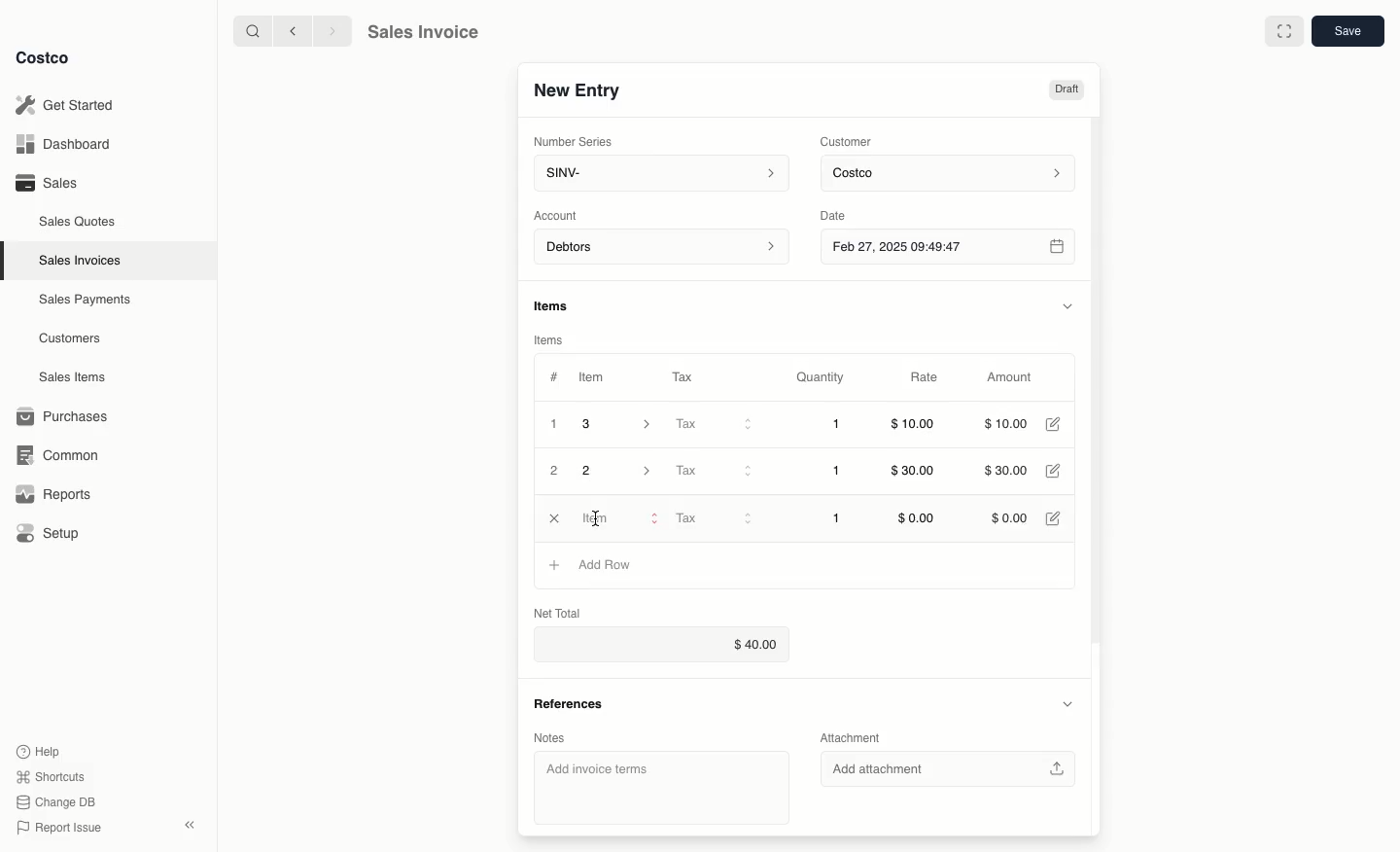  Describe the element at coordinates (83, 260) in the screenshot. I see `Sales Invoices` at that location.